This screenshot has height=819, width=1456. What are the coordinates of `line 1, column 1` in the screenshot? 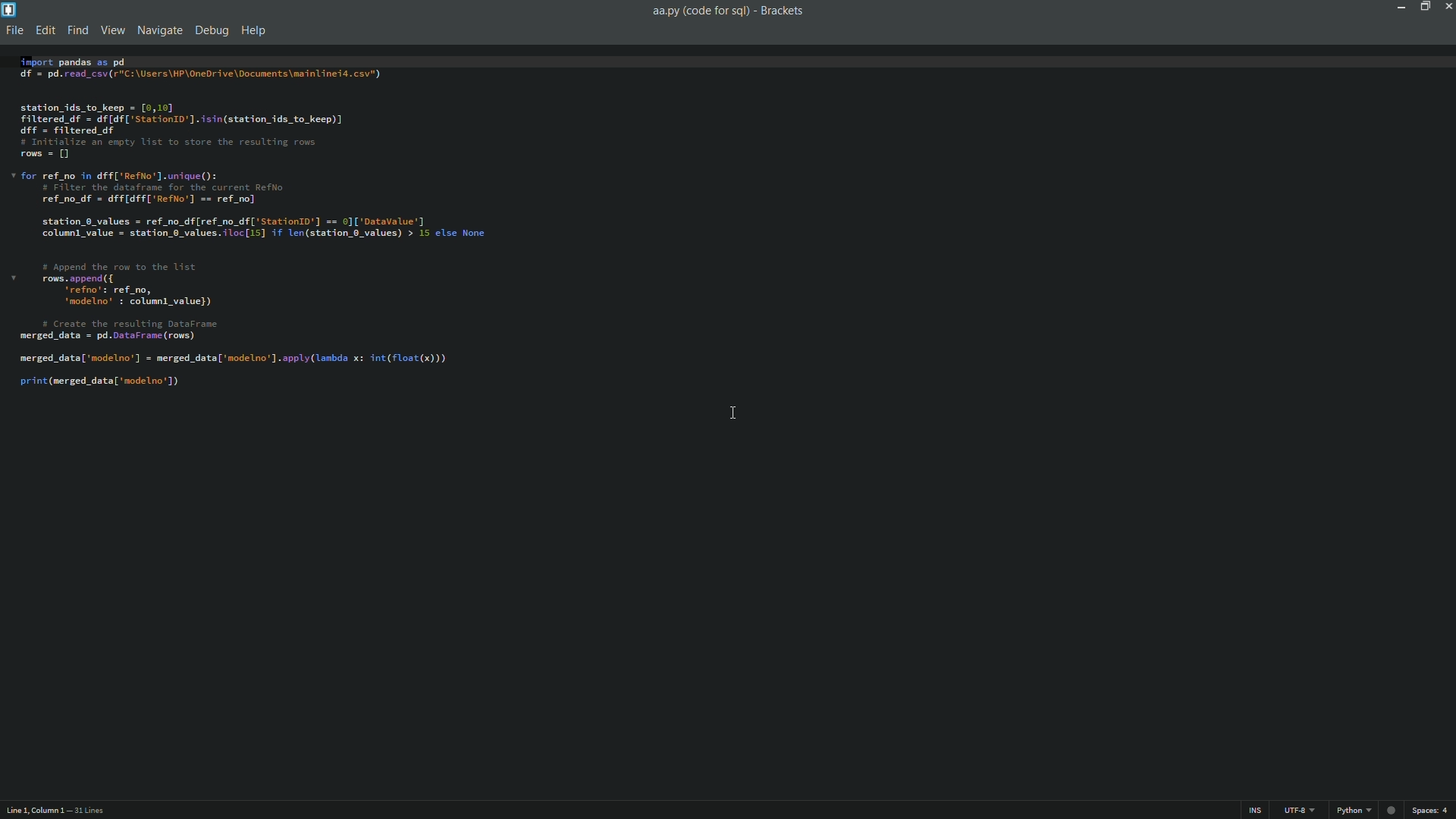 It's located at (33, 812).